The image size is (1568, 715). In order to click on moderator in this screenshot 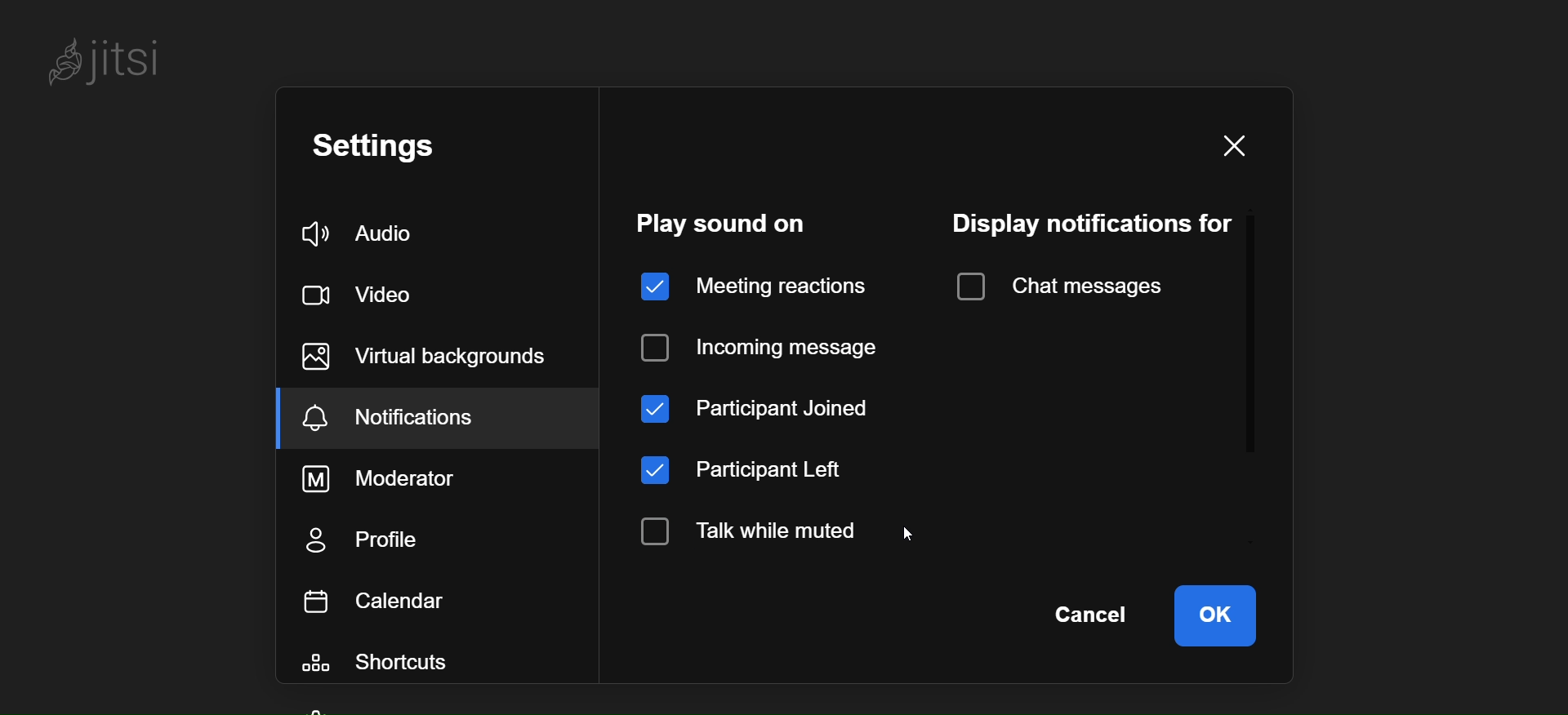, I will do `click(383, 479)`.